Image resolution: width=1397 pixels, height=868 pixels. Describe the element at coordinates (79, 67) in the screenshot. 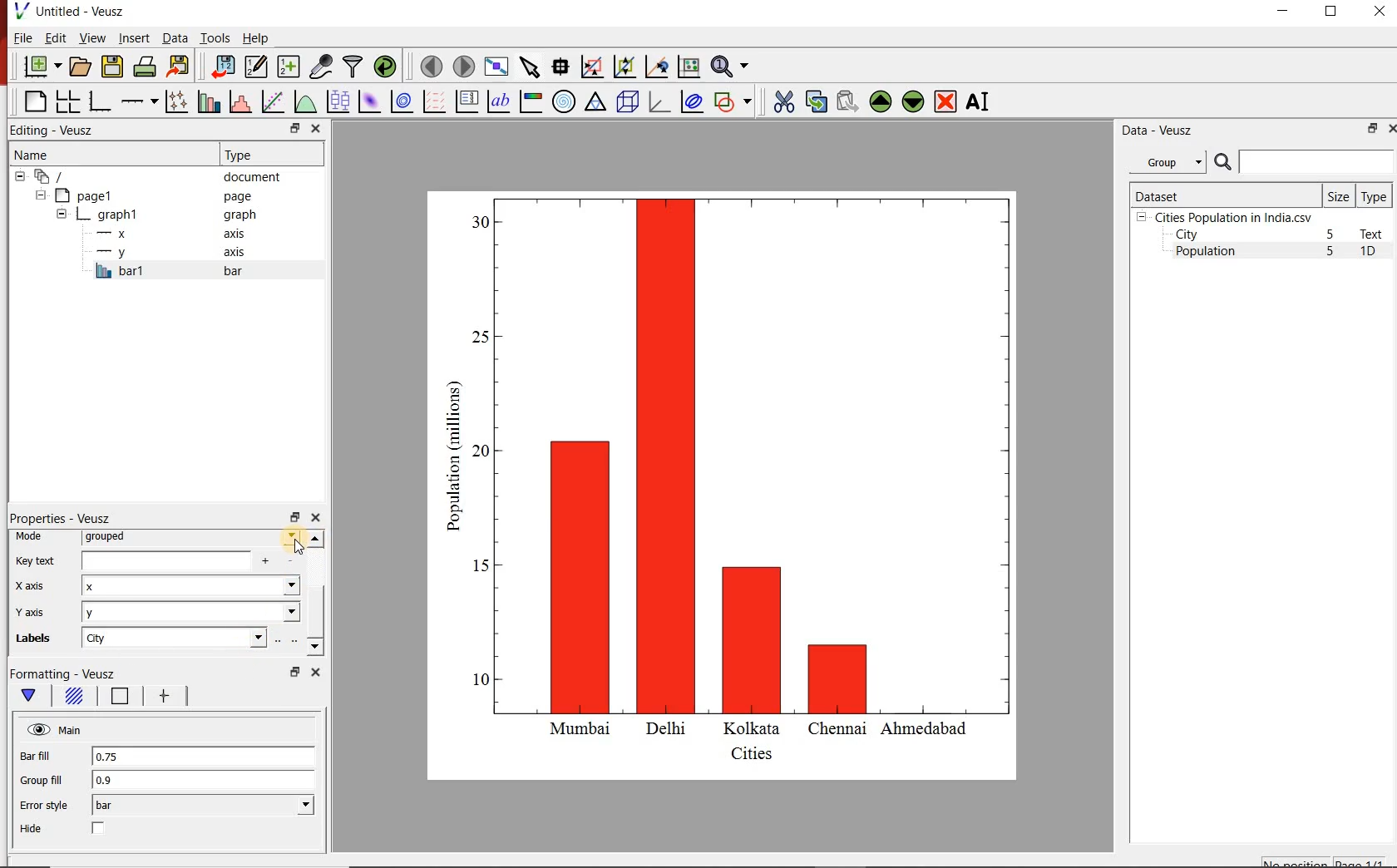

I see `open a document` at that location.